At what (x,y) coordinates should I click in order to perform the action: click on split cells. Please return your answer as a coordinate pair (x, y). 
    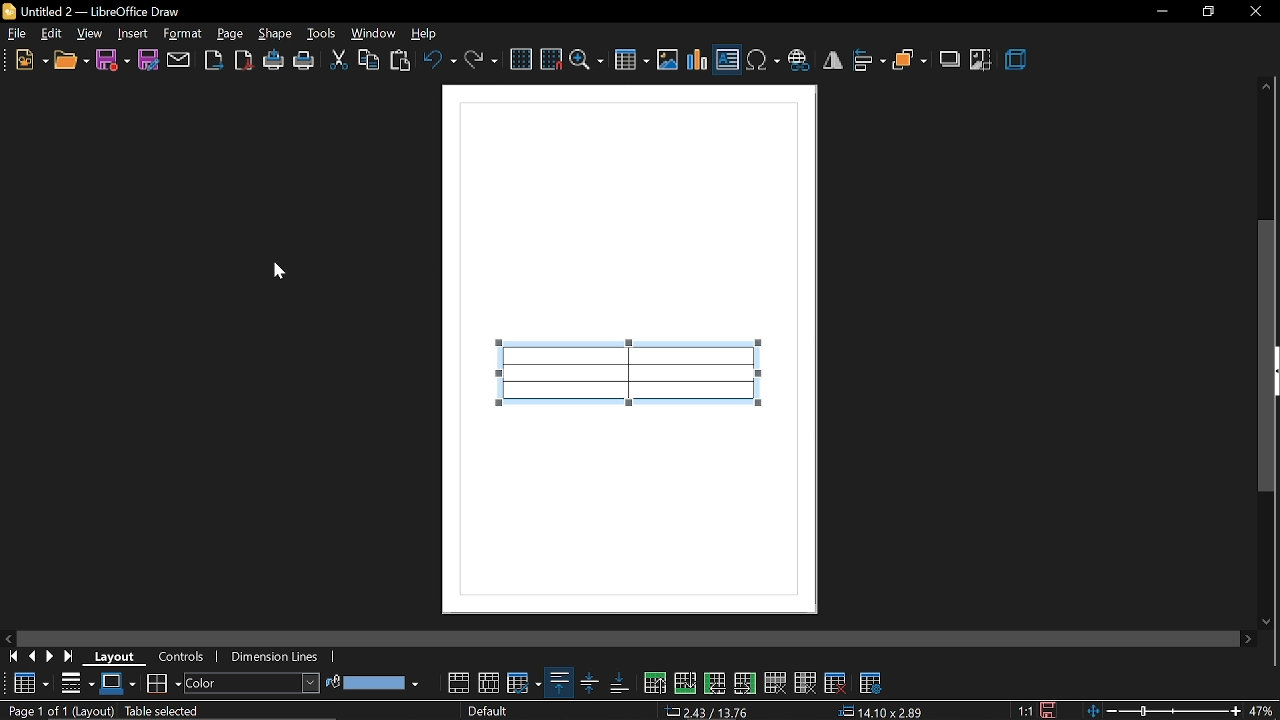
    Looking at the image, I should click on (488, 683).